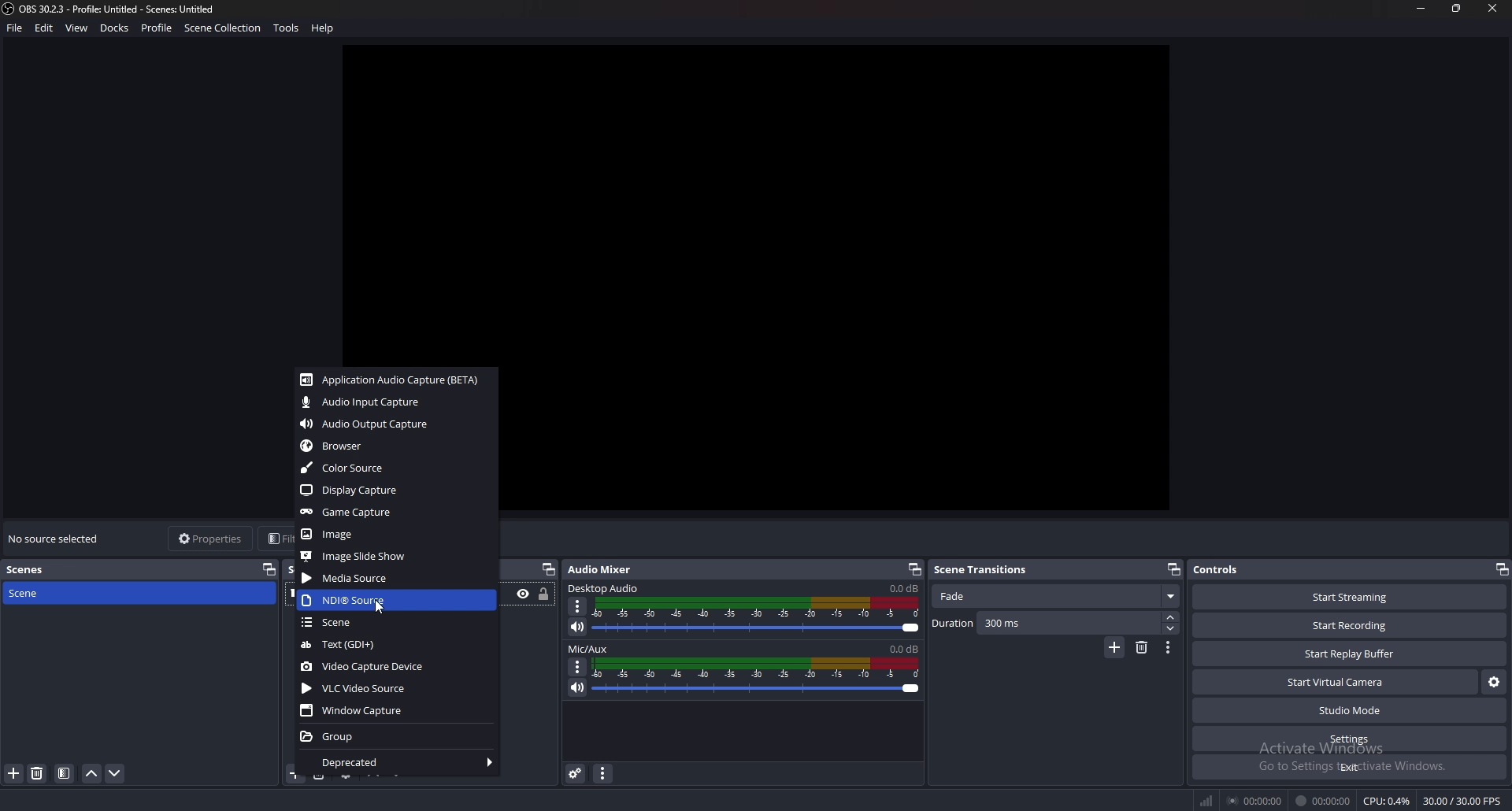  What do you see at coordinates (394, 513) in the screenshot?
I see `game capture` at bounding box center [394, 513].